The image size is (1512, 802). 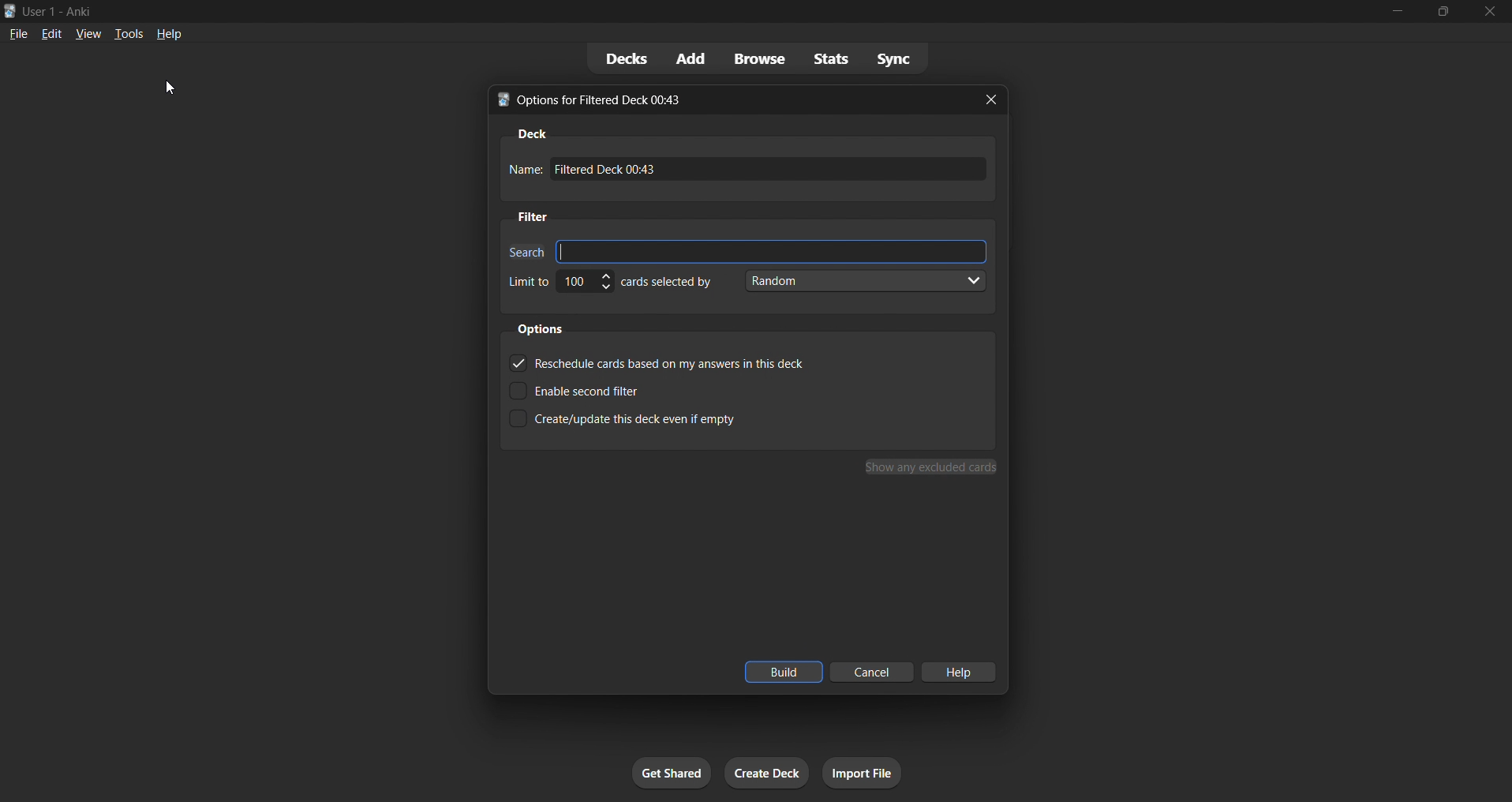 What do you see at coordinates (527, 281) in the screenshot?
I see `limit to` at bounding box center [527, 281].